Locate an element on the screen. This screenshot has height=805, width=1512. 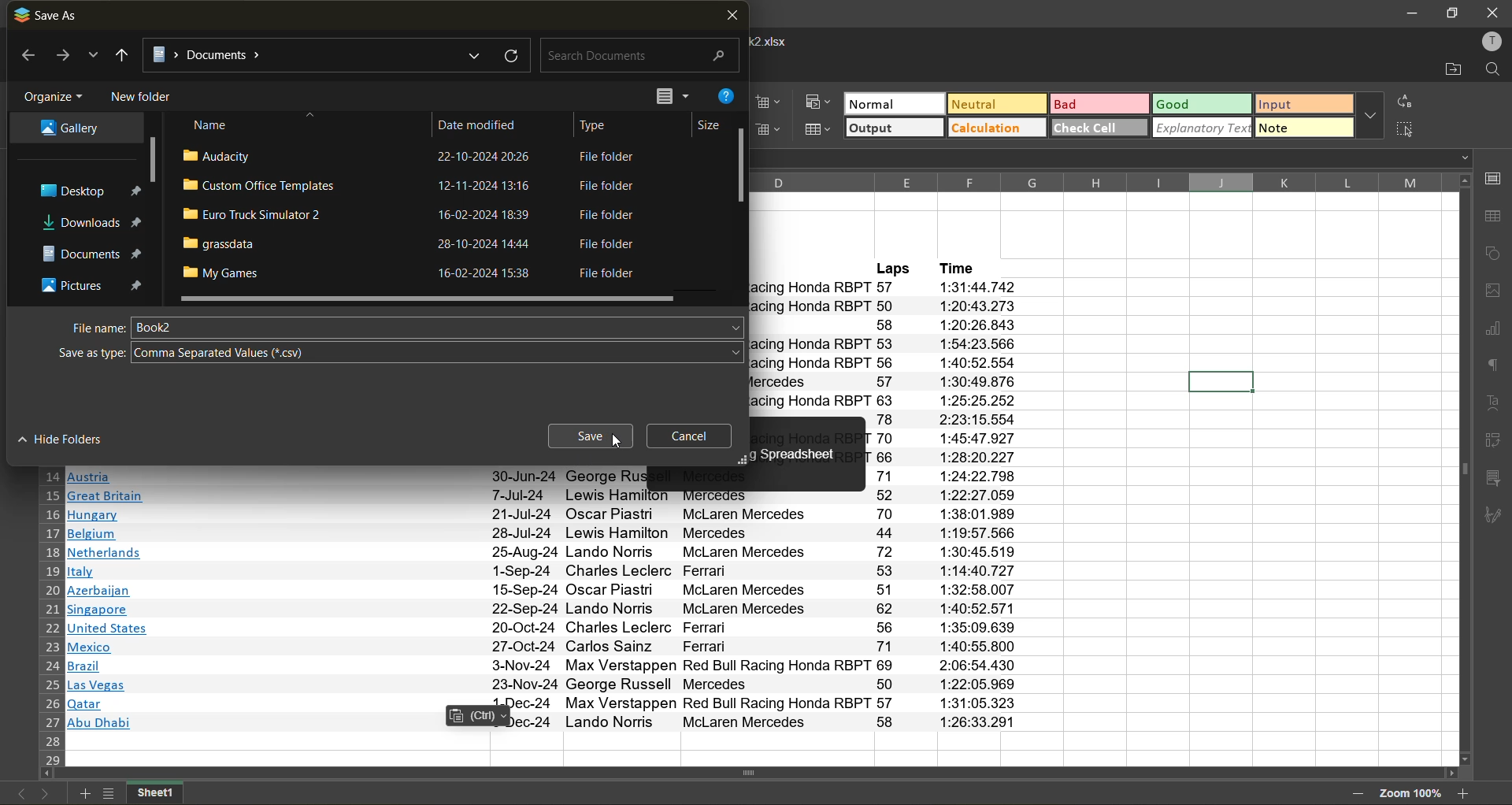
save as is located at coordinates (49, 15).